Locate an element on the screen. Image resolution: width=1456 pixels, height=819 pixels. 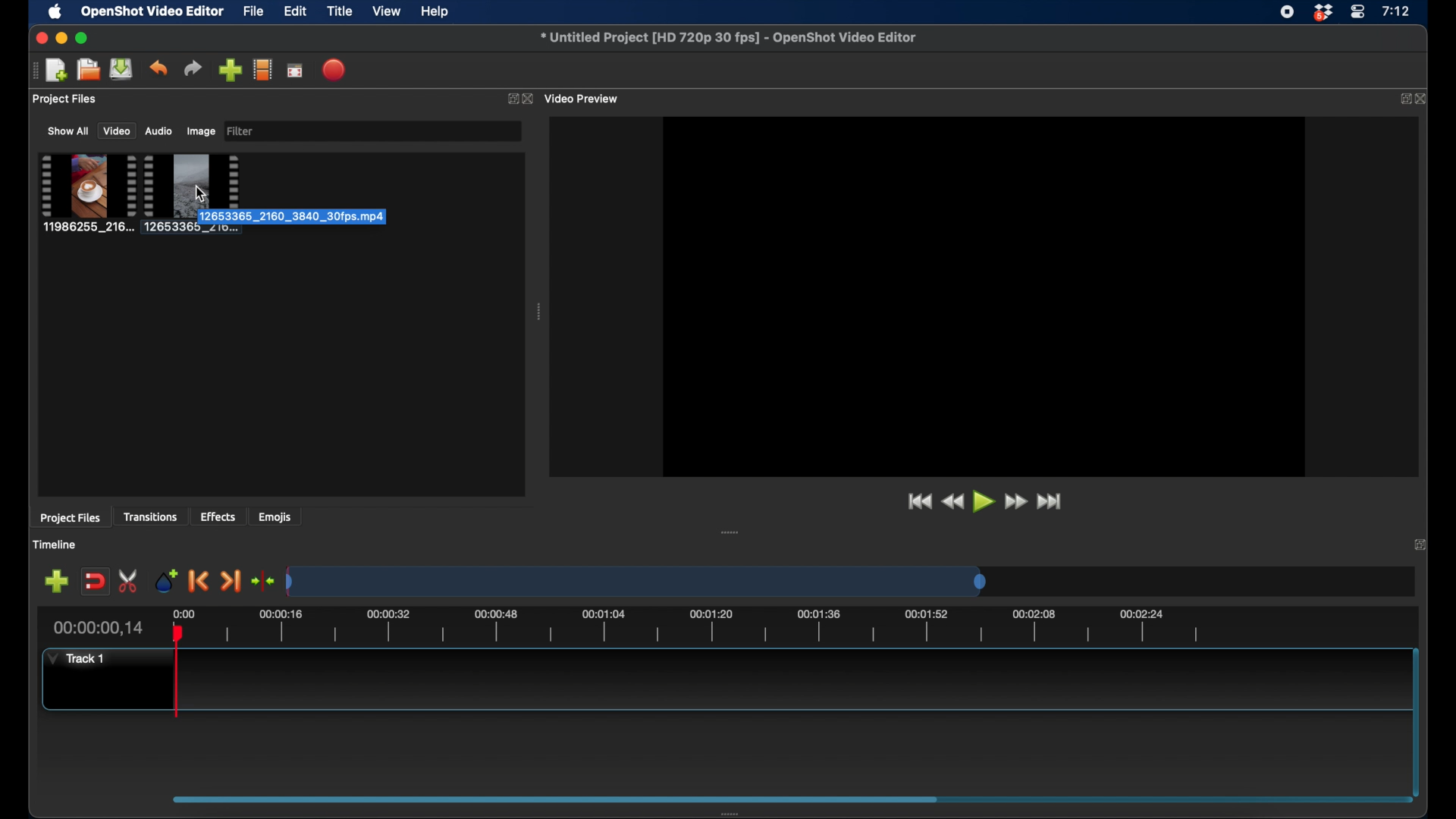
file is located at coordinates (253, 11).